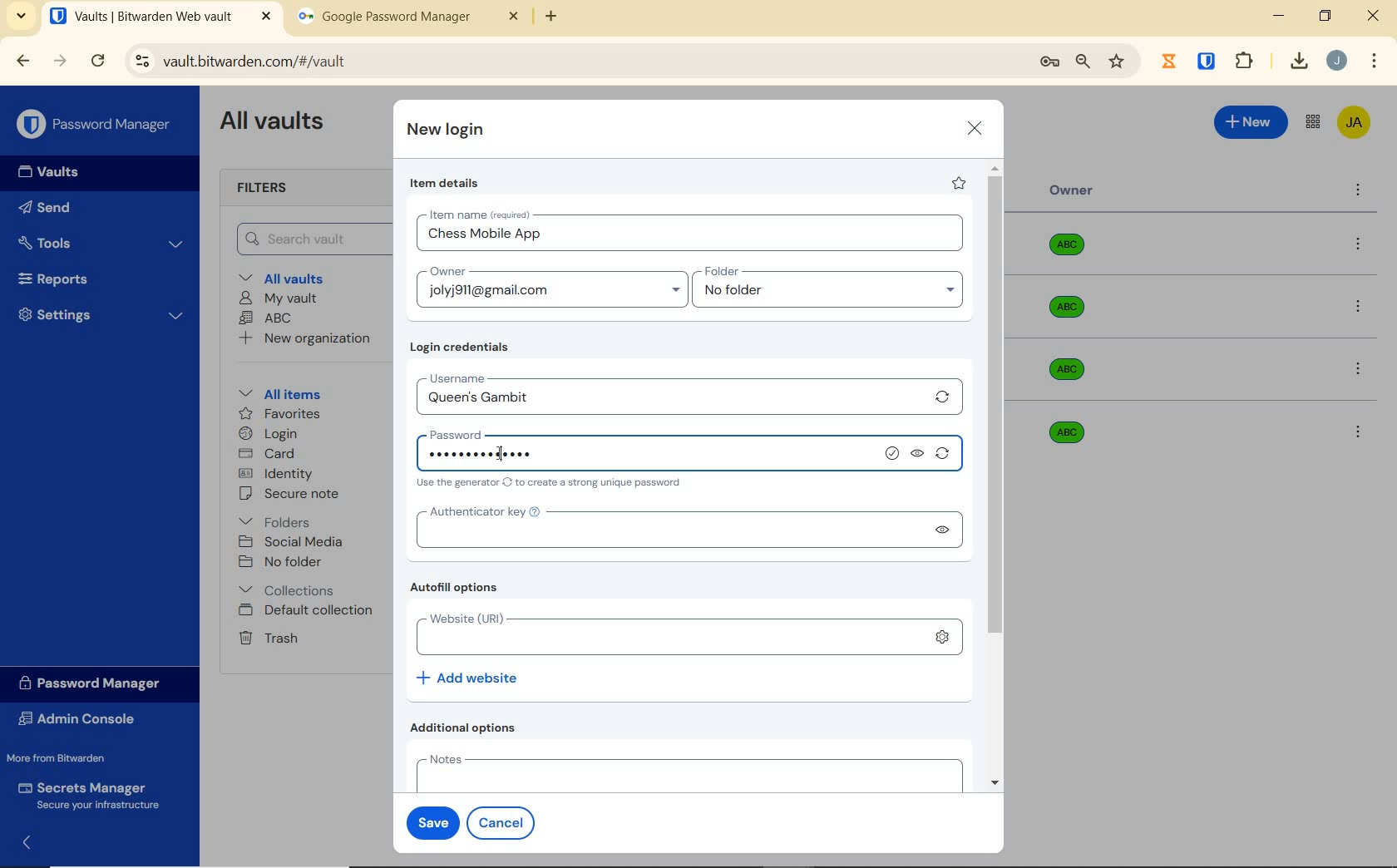 The image size is (1397, 868). Describe the element at coordinates (289, 541) in the screenshot. I see `Social media` at that location.